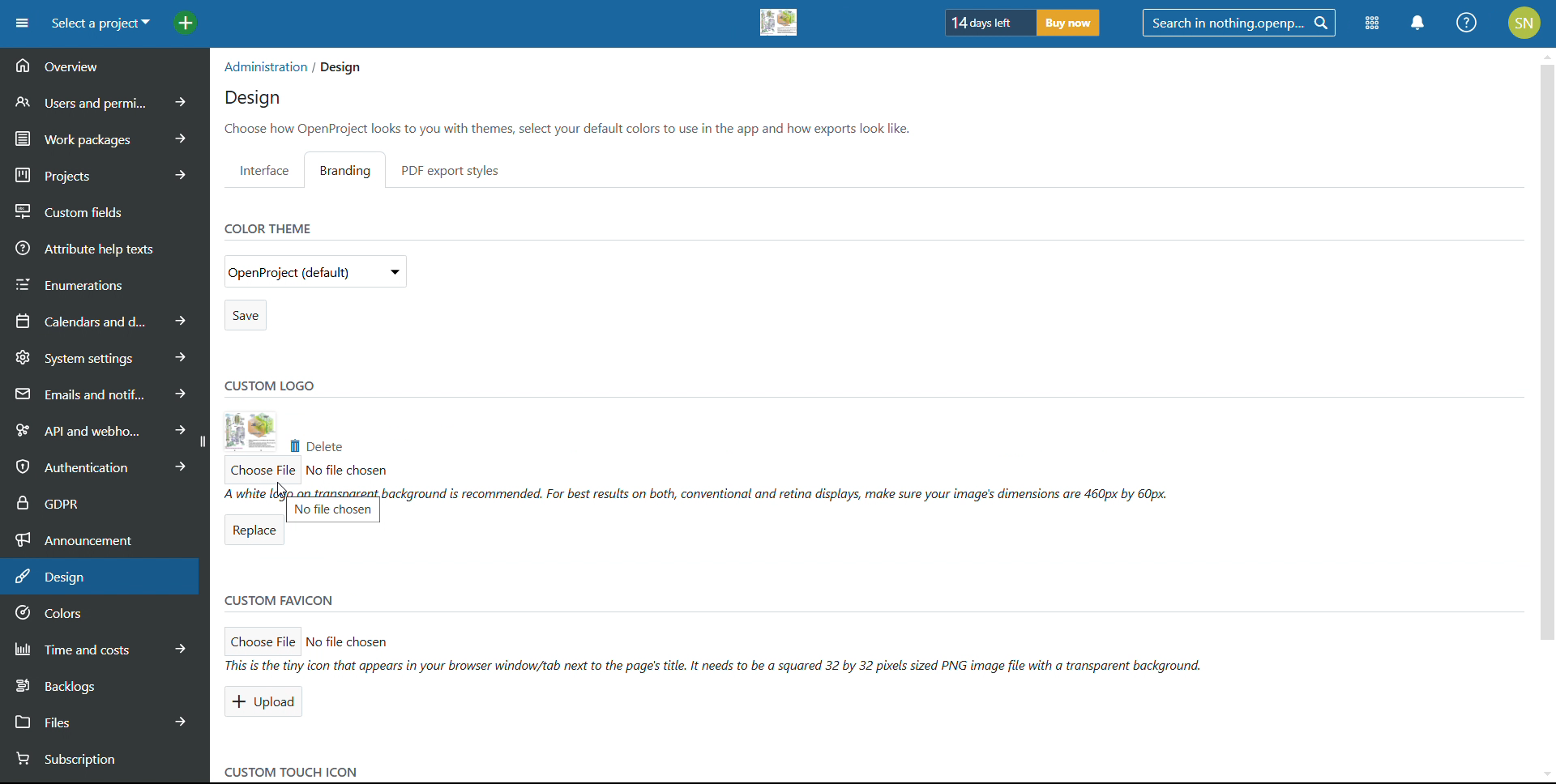 The height and width of the screenshot is (784, 1556). I want to click on time and costs, so click(102, 647).